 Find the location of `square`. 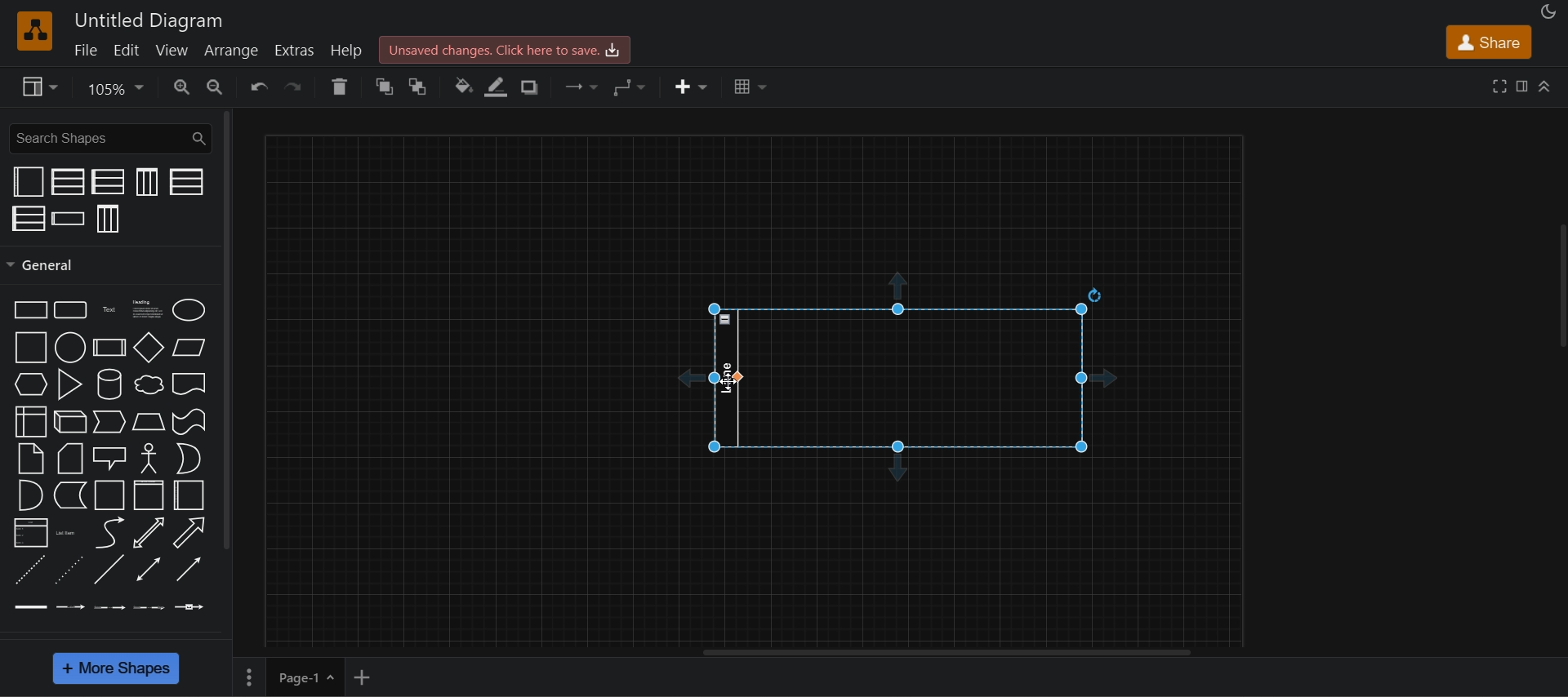

square is located at coordinates (29, 348).